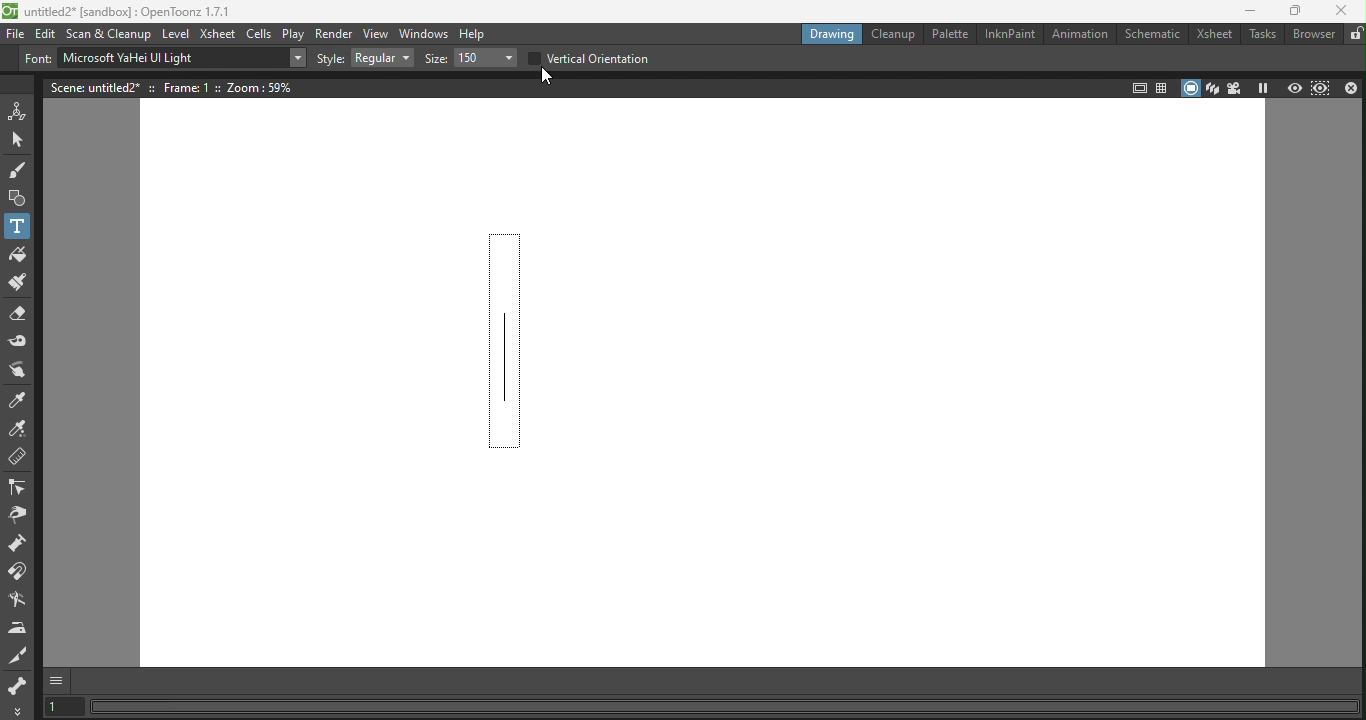 This screenshot has height=720, width=1366. What do you see at coordinates (17, 109) in the screenshot?
I see `Animate tool` at bounding box center [17, 109].